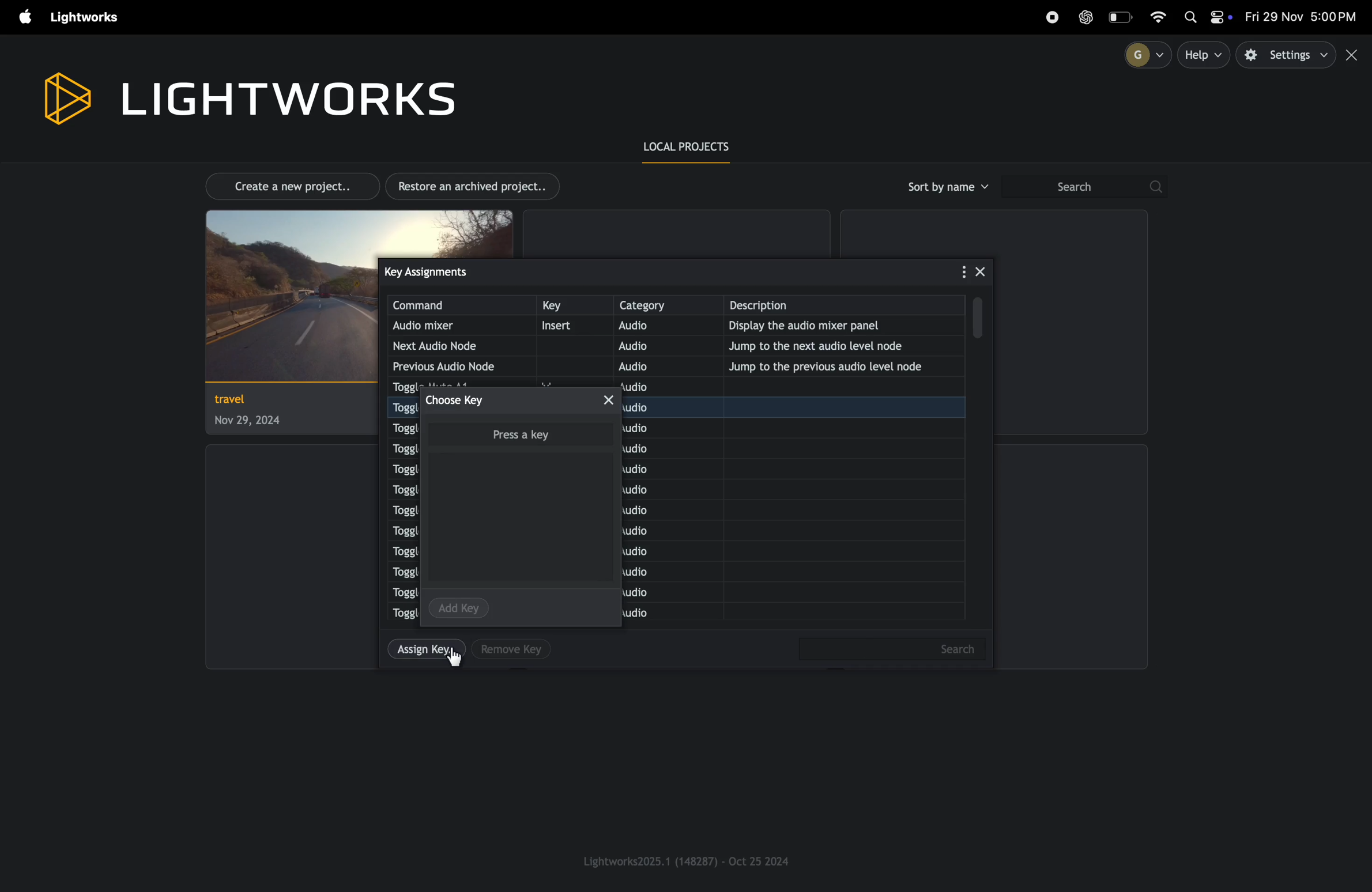 The image size is (1372, 892). I want to click on display the audio mixer panel, so click(836, 327).